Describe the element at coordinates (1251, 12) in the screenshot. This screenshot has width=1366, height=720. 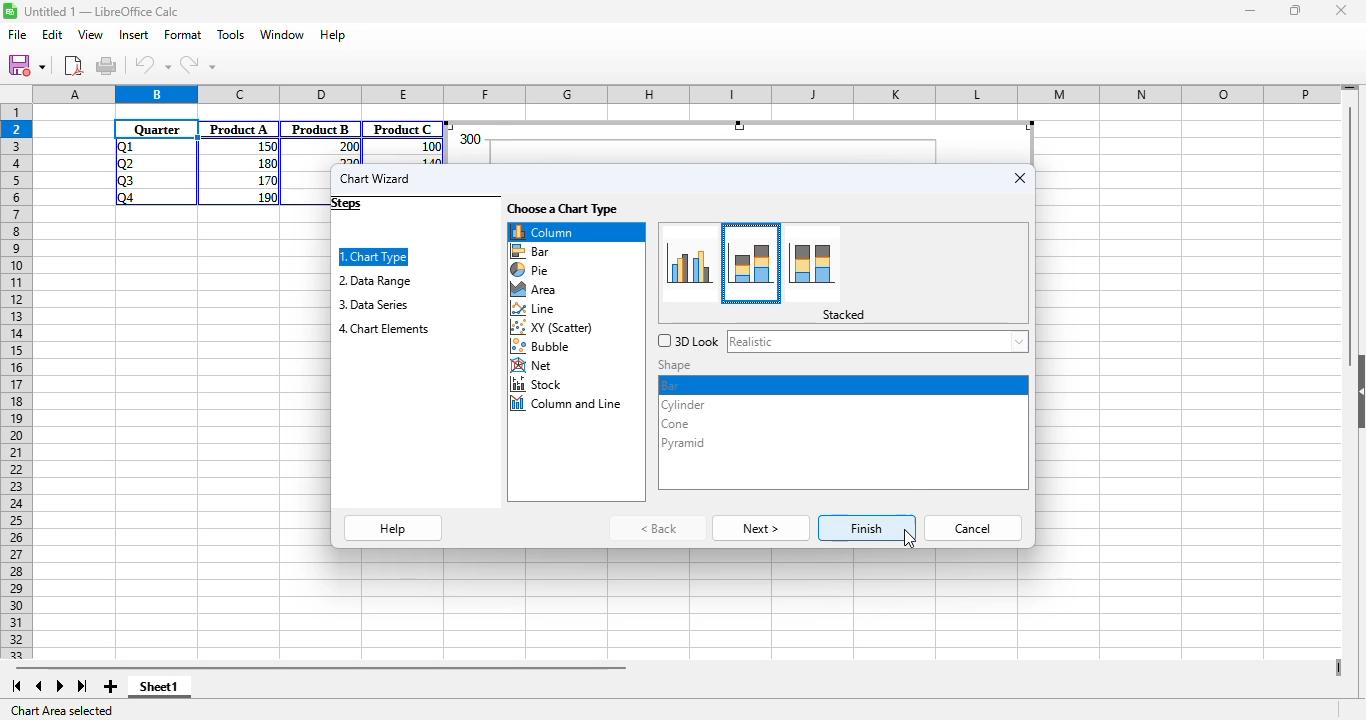
I see `minimize` at that location.